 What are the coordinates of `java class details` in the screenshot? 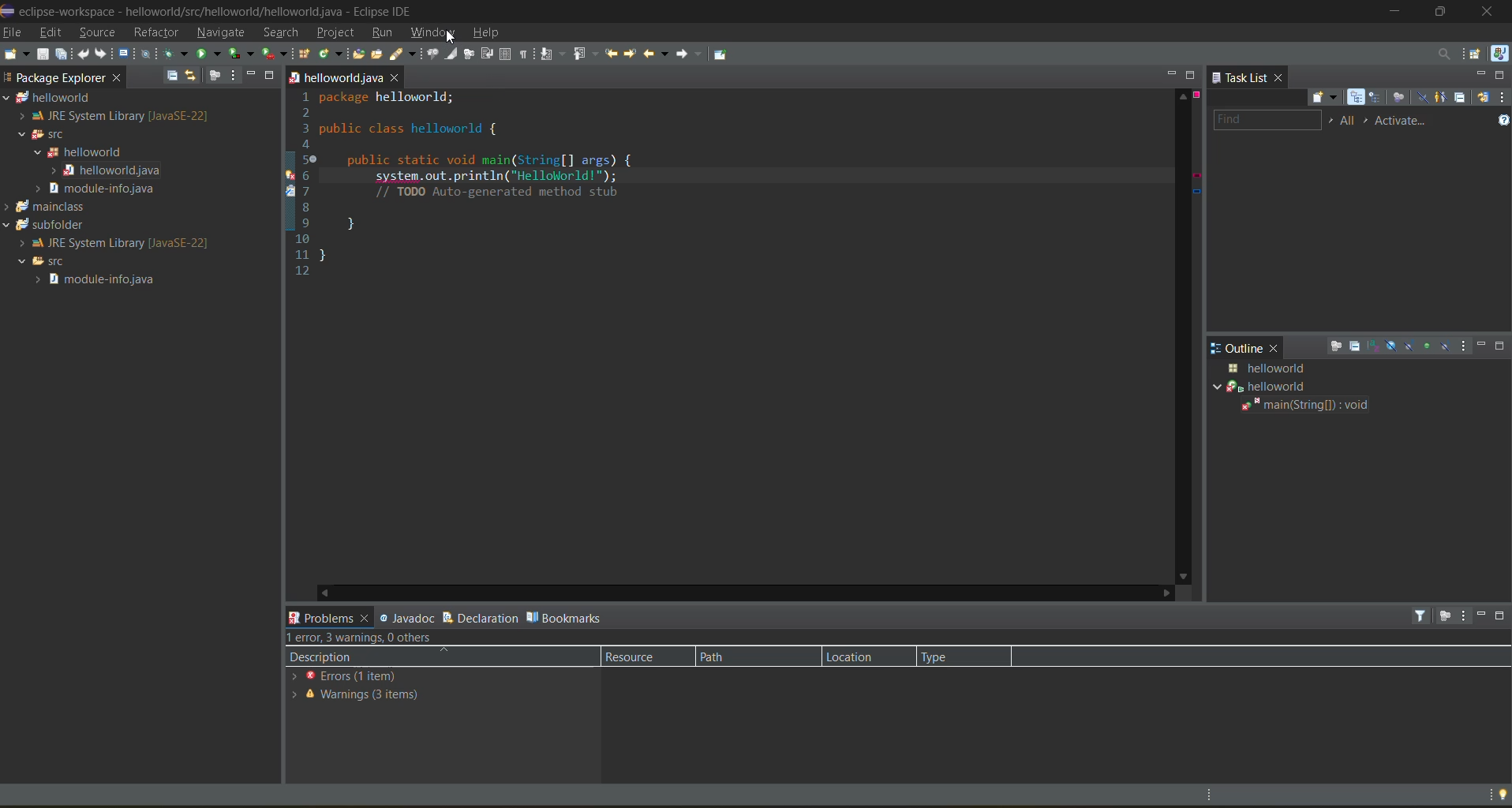 It's located at (1299, 367).